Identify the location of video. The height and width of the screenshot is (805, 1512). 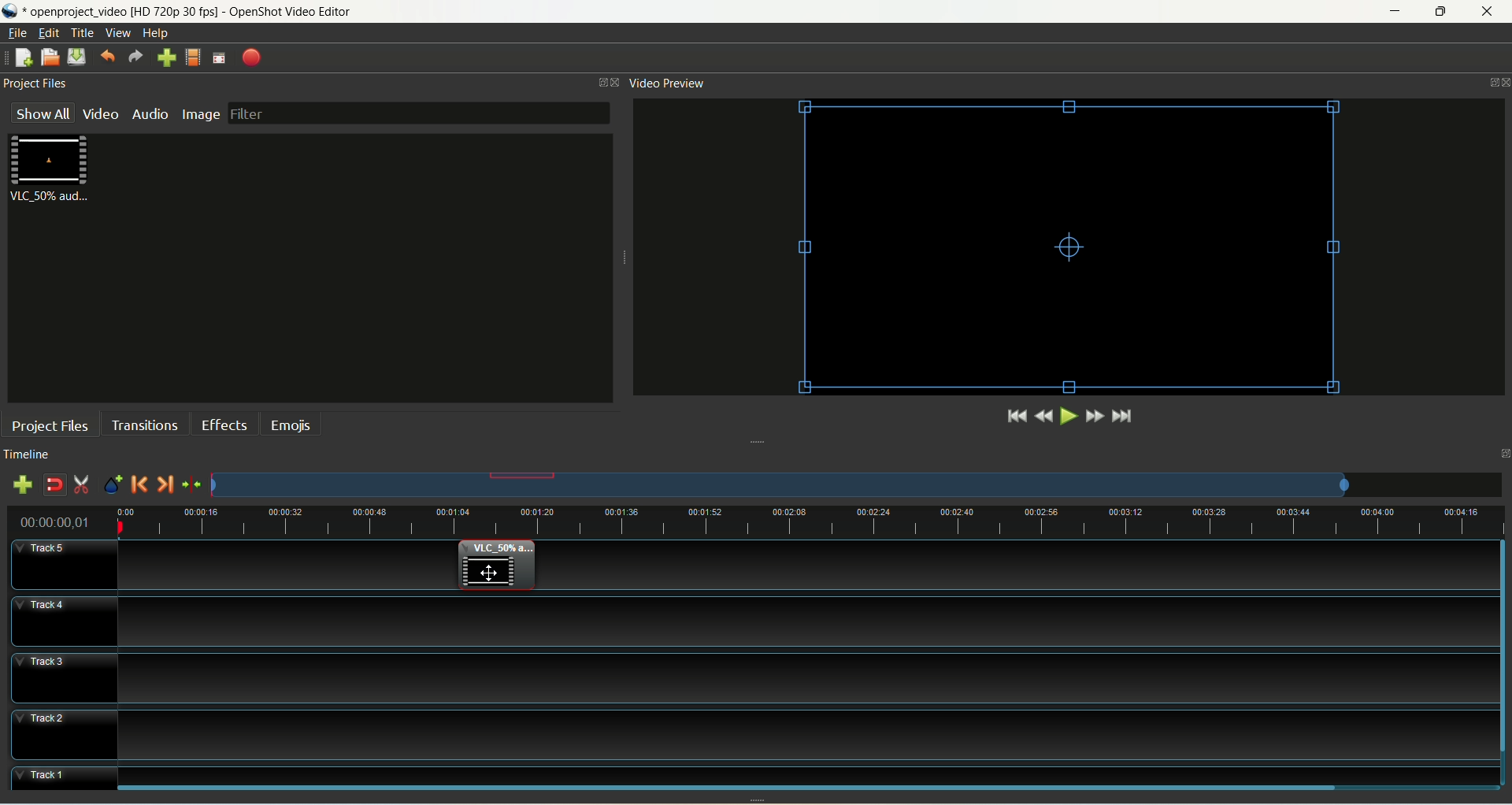
(101, 116).